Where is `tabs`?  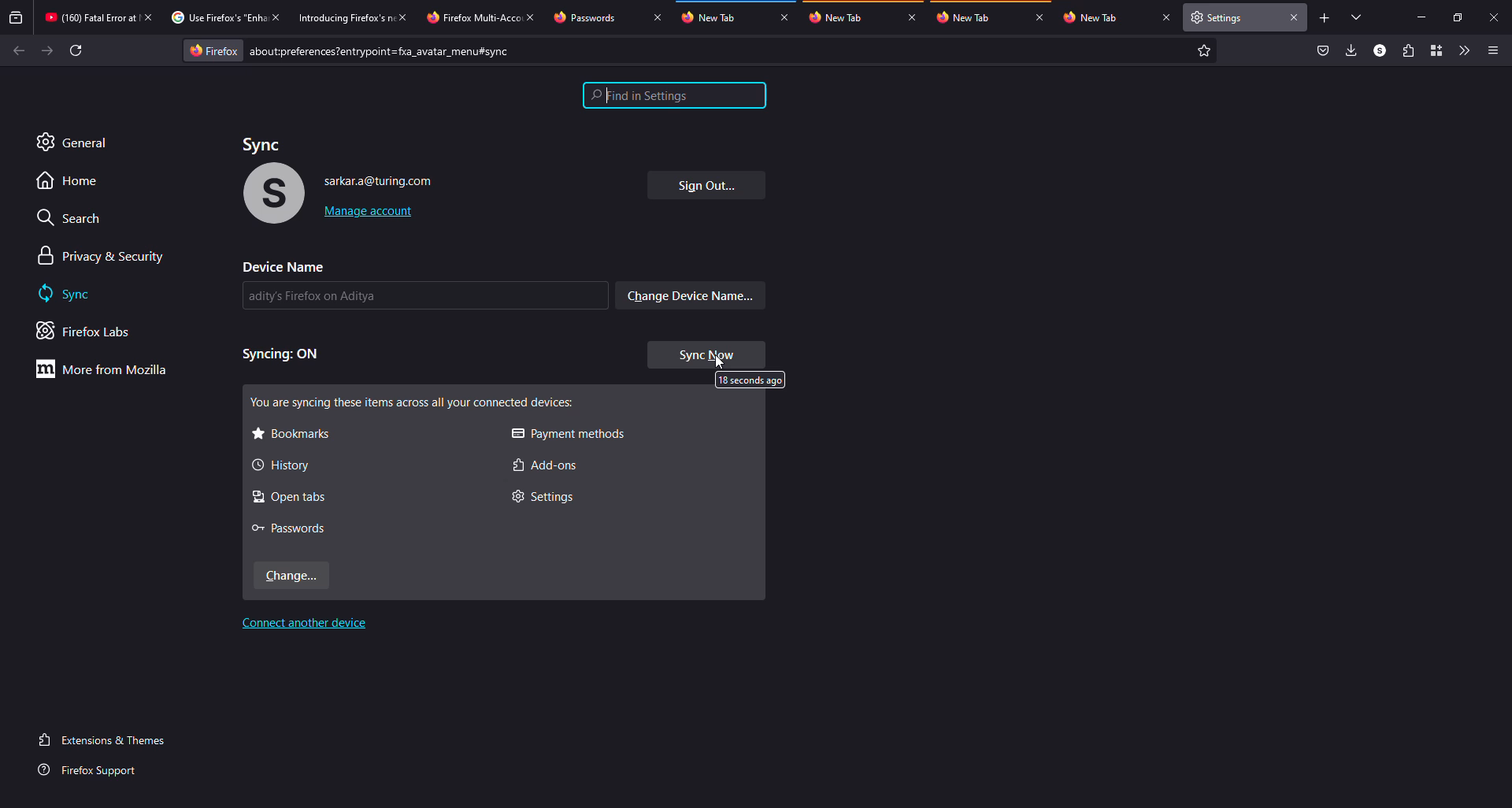
tabs is located at coordinates (1355, 17).